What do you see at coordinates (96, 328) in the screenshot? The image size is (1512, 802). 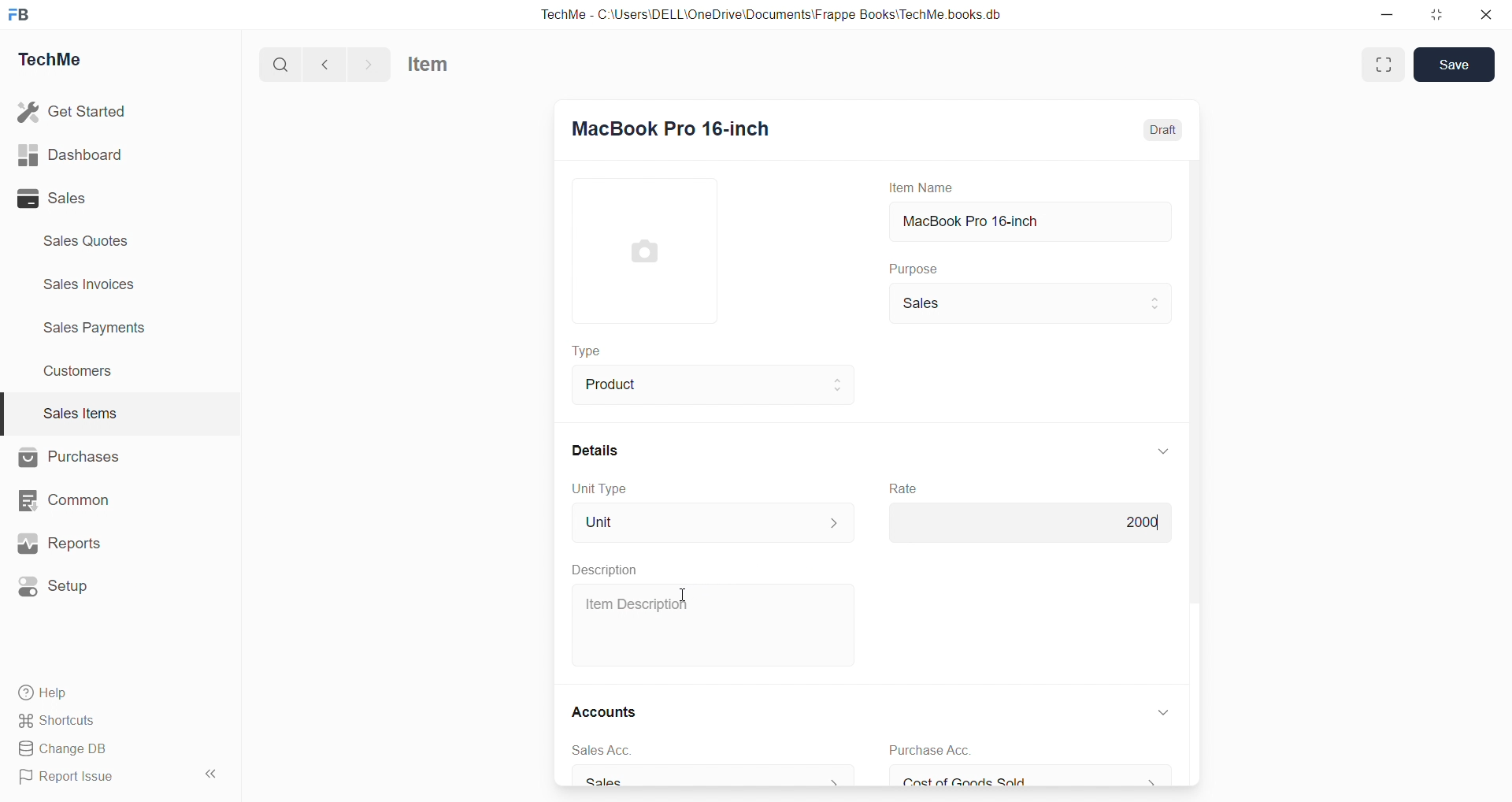 I see `Sales Payments` at bounding box center [96, 328].